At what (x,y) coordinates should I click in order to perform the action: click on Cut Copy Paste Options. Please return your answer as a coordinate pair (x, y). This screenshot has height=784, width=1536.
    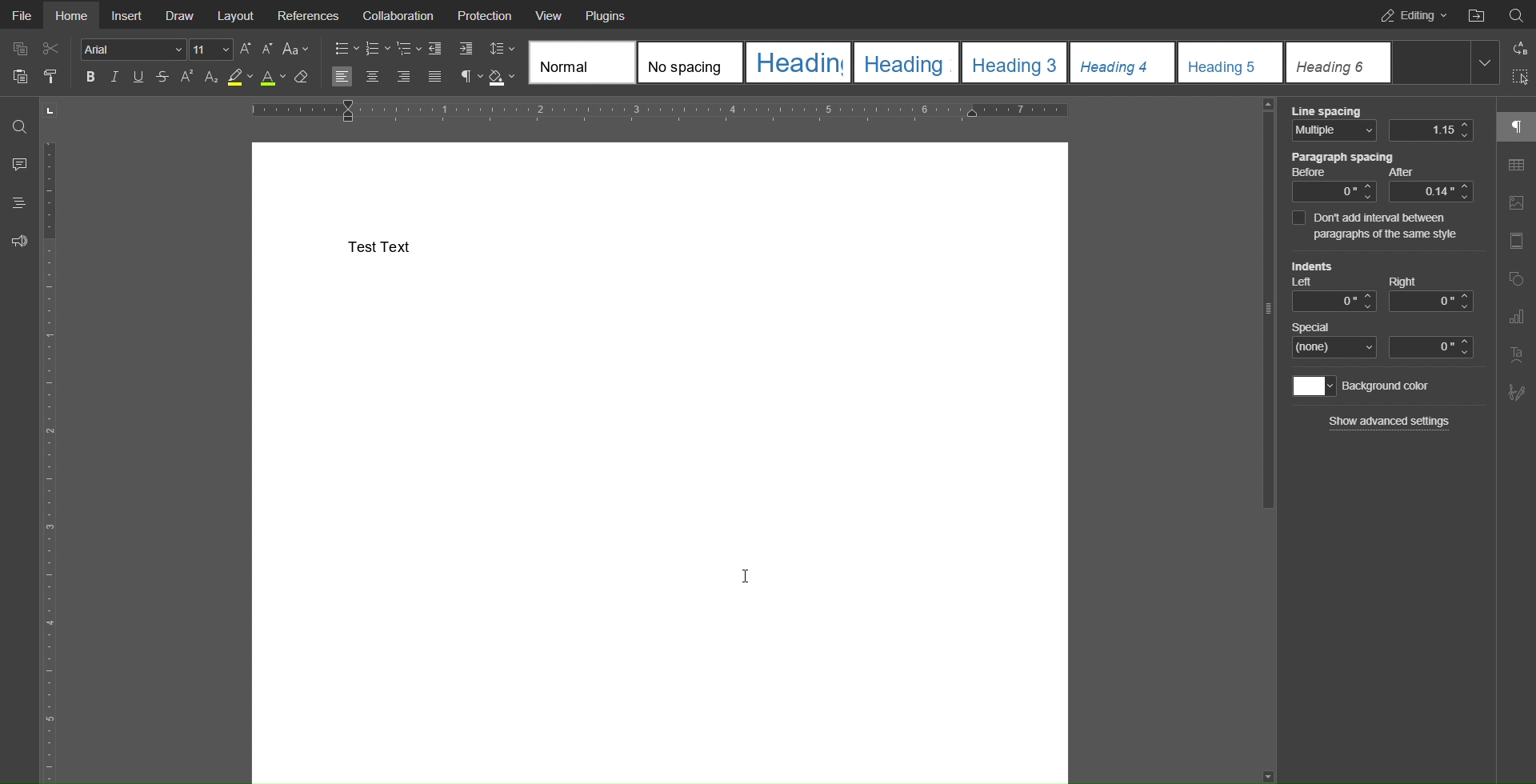
    Looking at the image, I should click on (35, 66).